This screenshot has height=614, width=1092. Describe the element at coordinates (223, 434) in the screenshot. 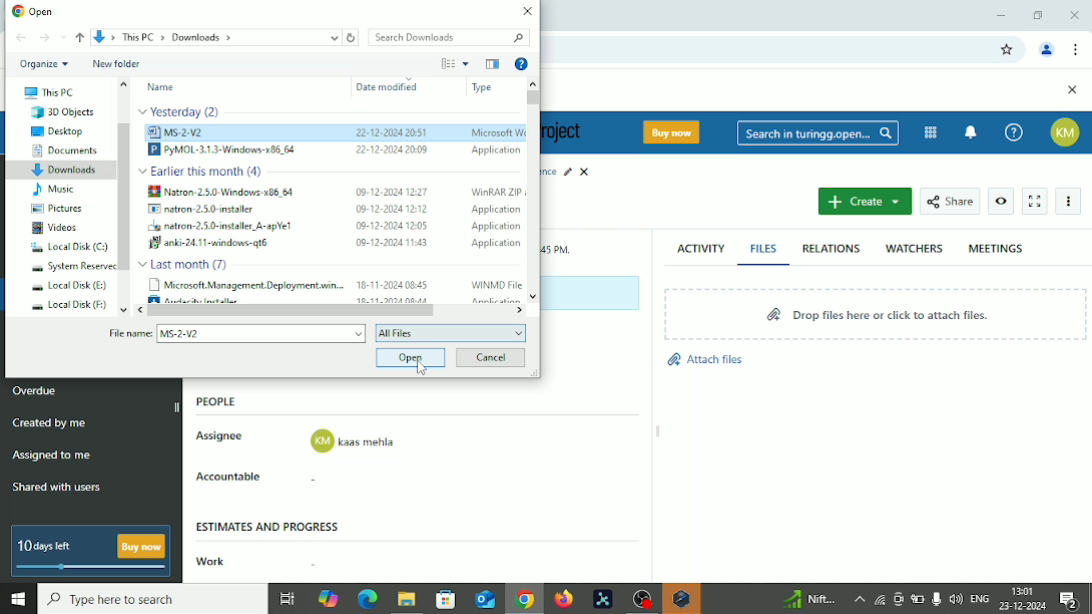

I see `Assignee` at that location.